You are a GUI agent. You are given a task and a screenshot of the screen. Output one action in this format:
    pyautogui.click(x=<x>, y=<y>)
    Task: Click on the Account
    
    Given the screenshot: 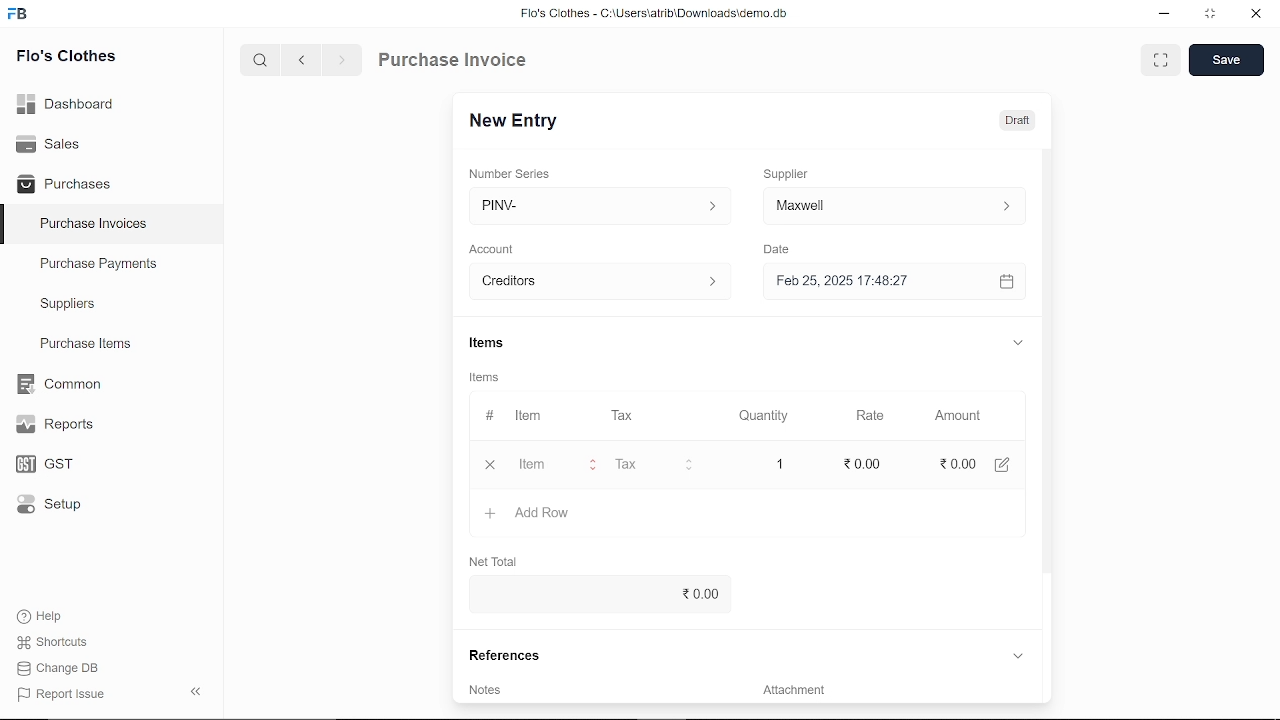 What is the action you would take?
    pyautogui.click(x=498, y=247)
    